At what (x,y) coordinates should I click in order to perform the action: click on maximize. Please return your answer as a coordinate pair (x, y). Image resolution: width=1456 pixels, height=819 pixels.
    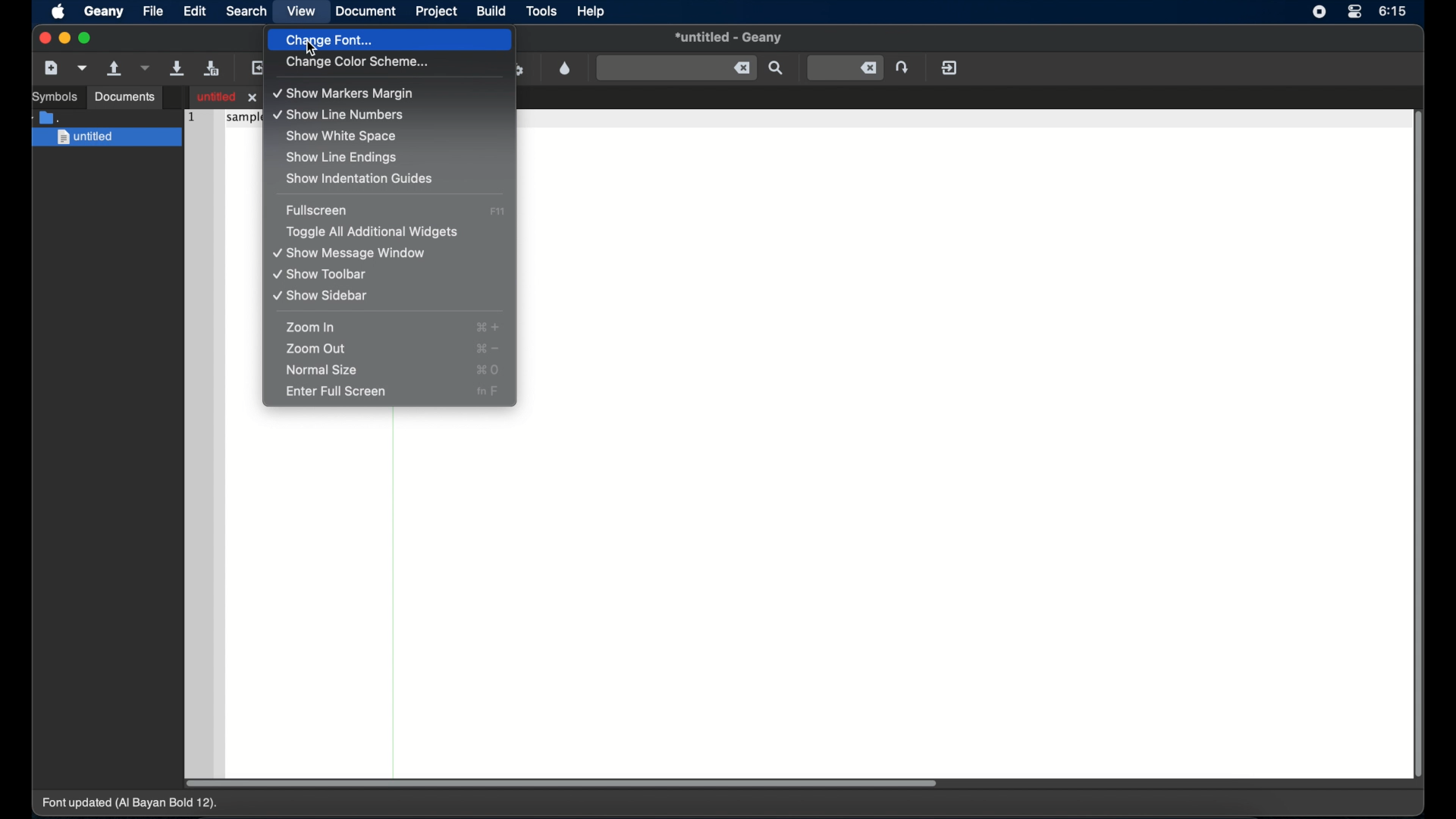
    Looking at the image, I should click on (87, 38).